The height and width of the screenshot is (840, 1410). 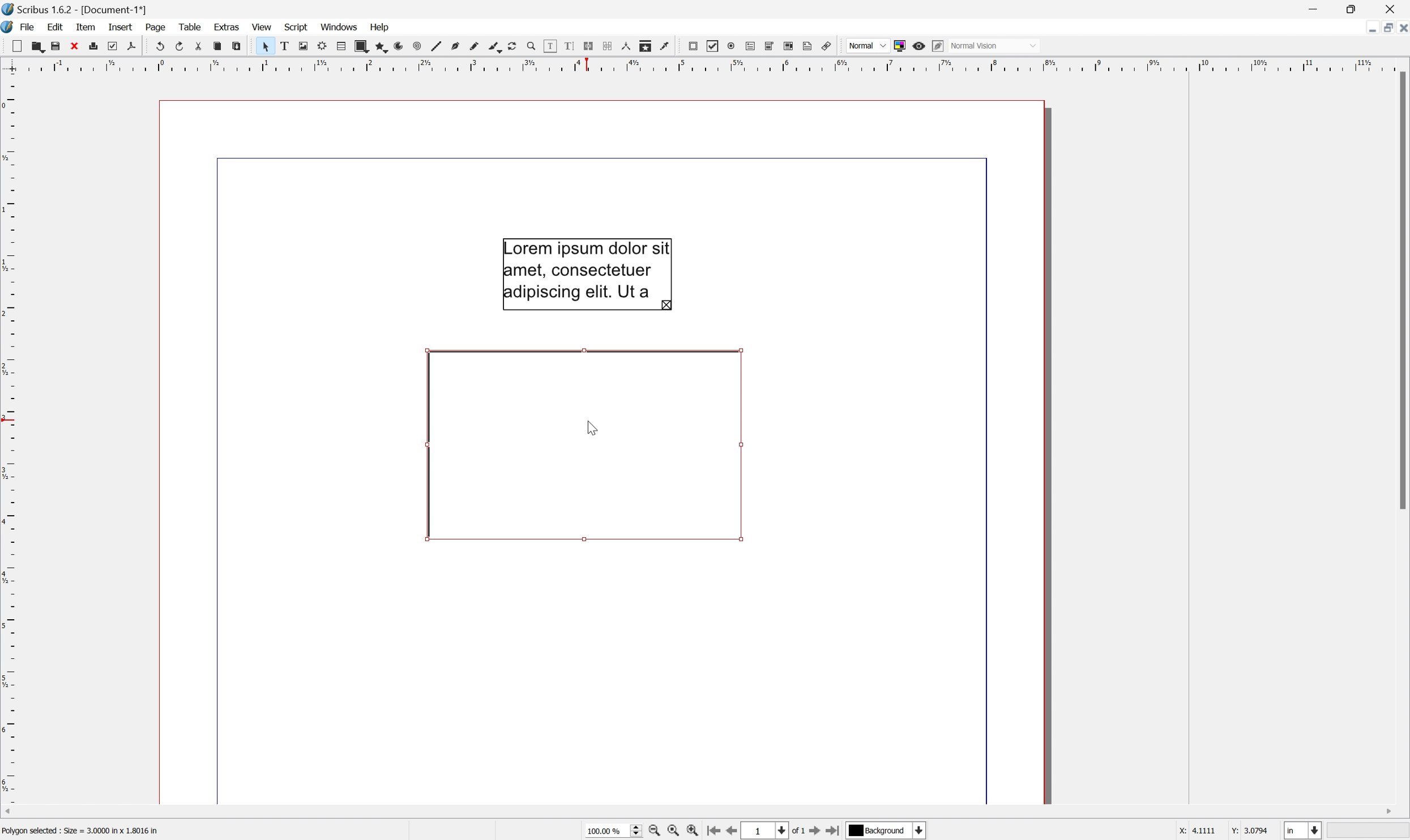 I want to click on Calligraphic line, so click(x=494, y=48).